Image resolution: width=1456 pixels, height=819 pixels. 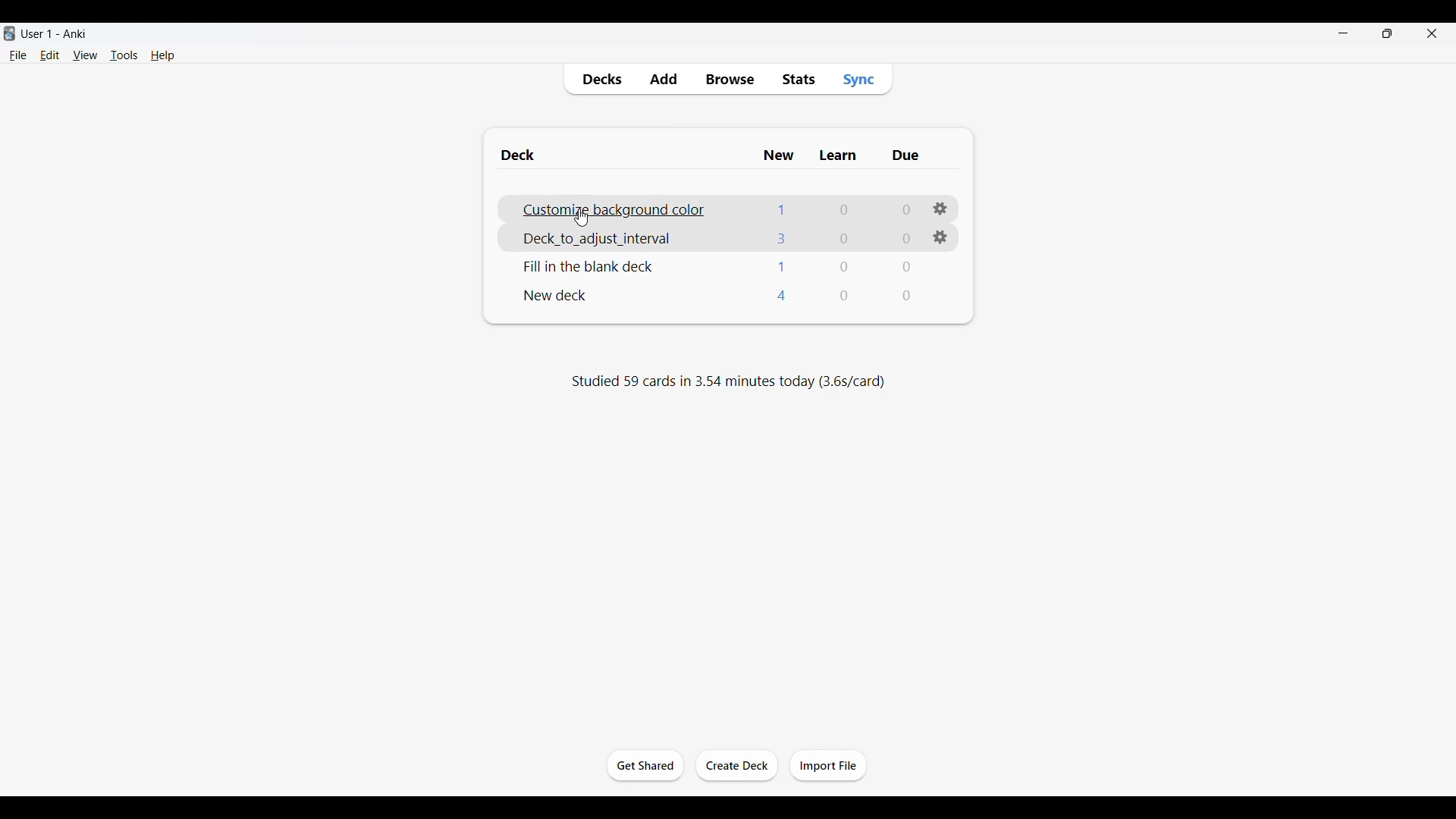 What do you see at coordinates (843, 237) in the screenshot?
I see `Details specific to each column and deck` at bounding box center [843, 237].